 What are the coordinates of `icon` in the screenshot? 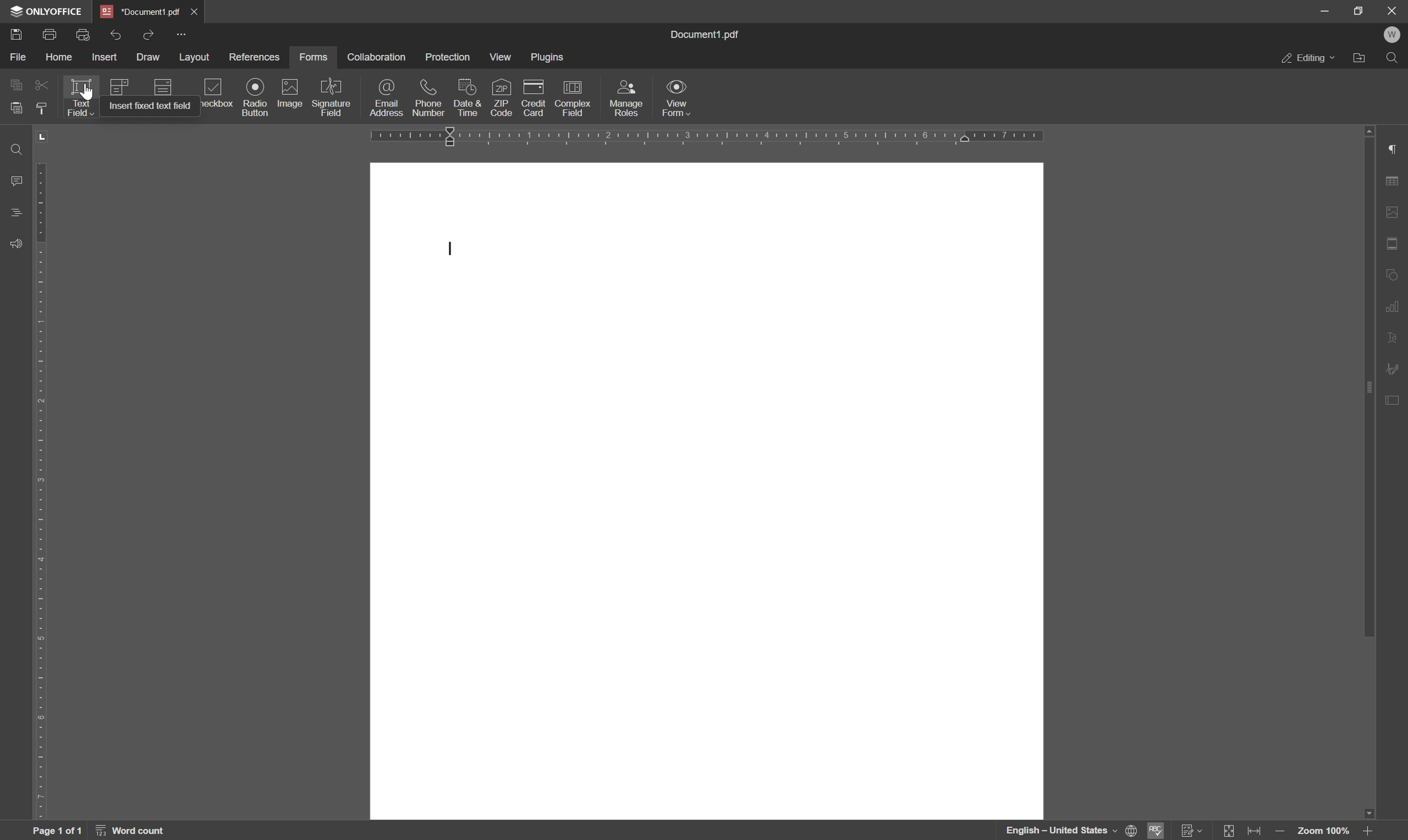 It's located at (164, 86).